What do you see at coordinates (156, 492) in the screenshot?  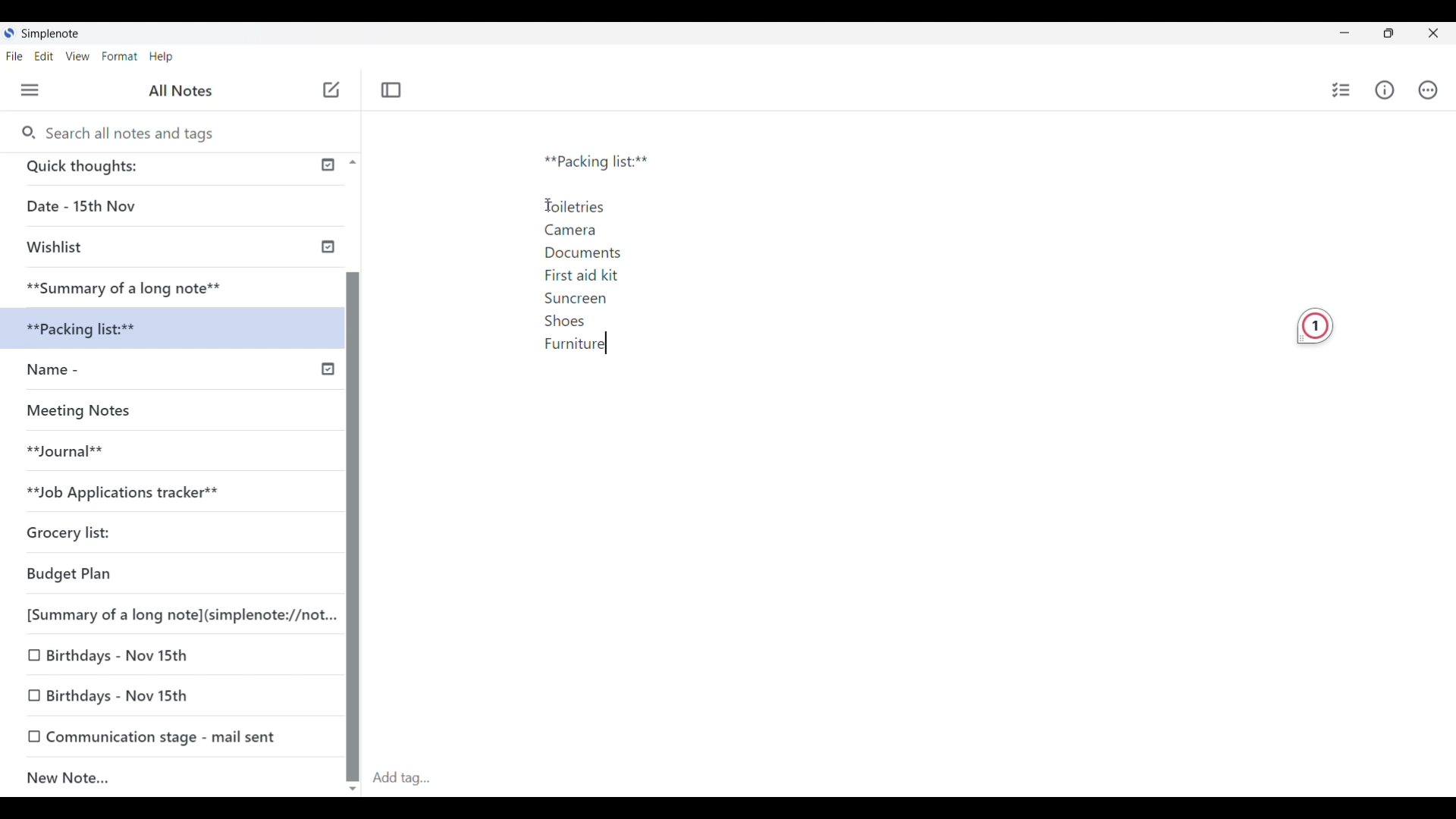 I see `**Job Applications tracker**` at bounding box center [156, 492].